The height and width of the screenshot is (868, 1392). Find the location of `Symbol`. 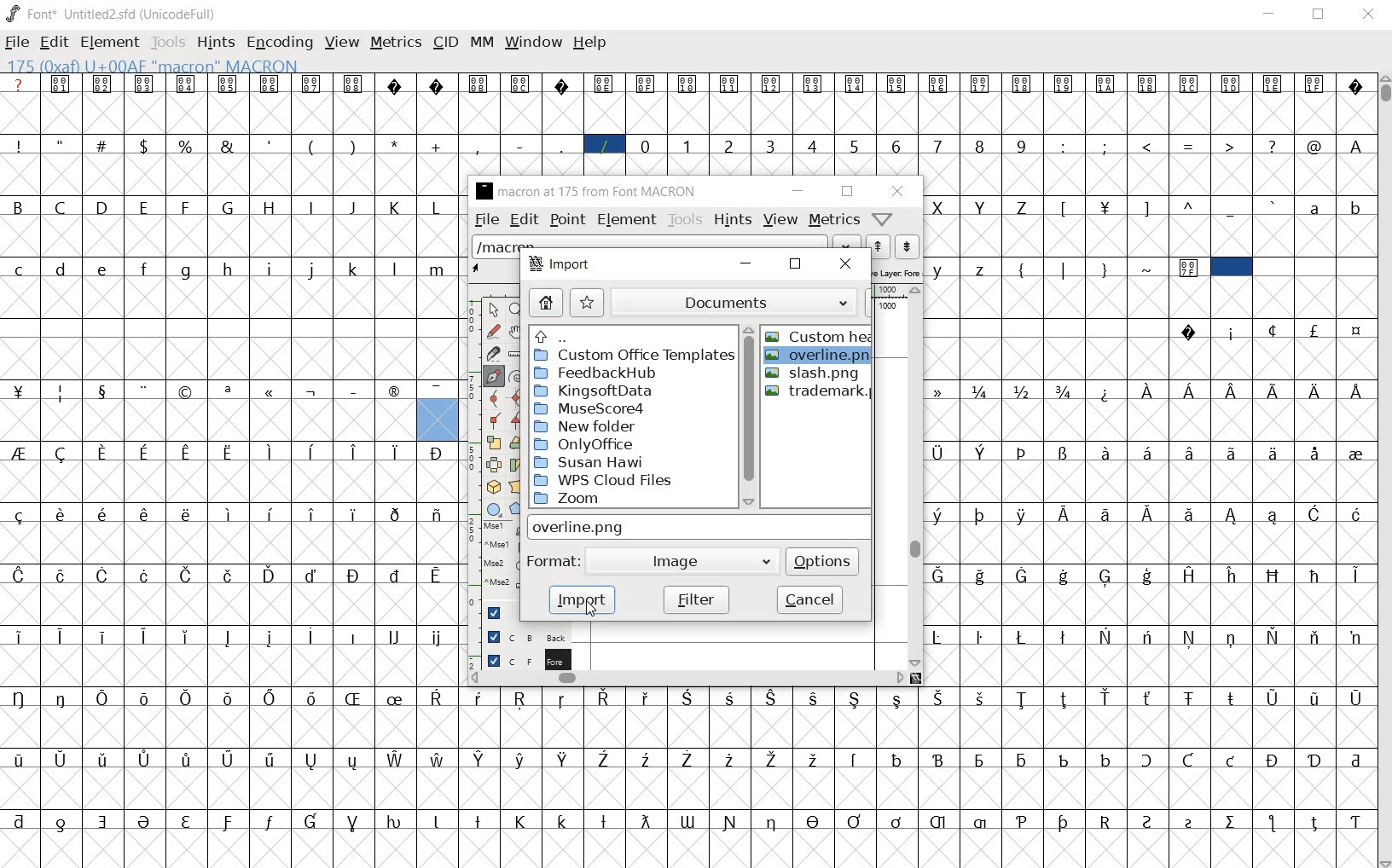

Symbol is located at coordinates (315, 574).